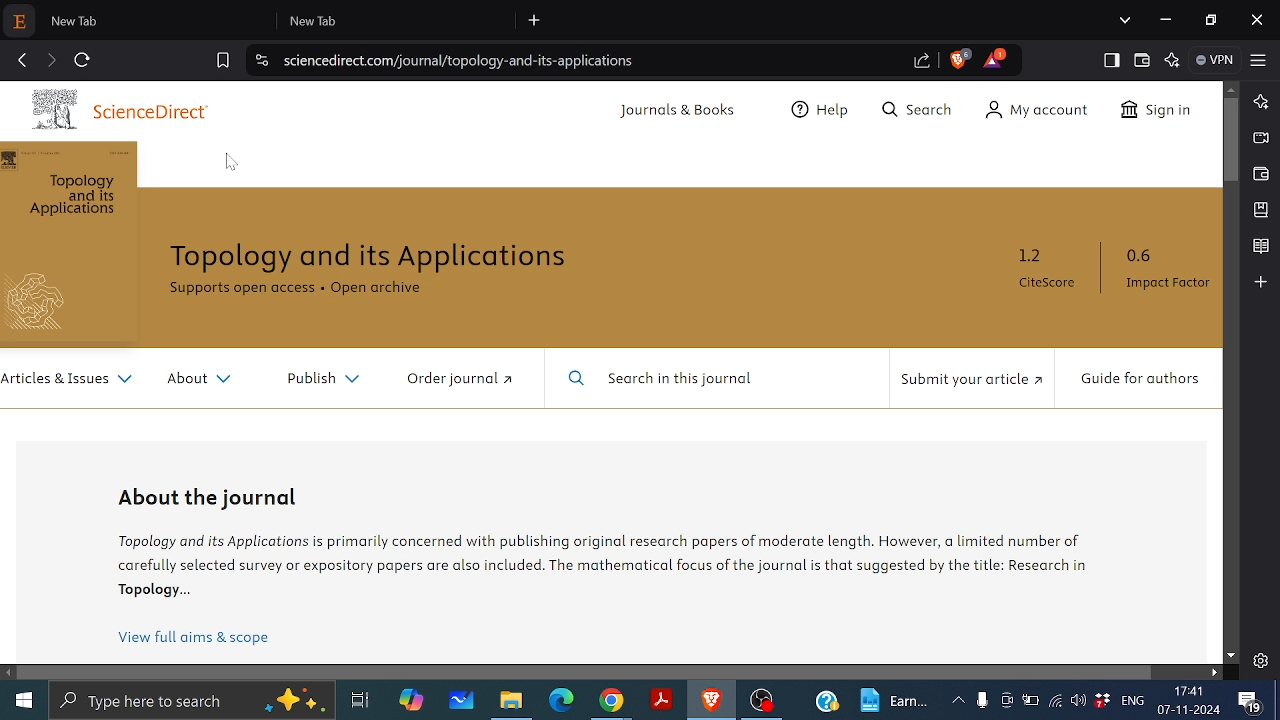 The width and height of the screenshot is (1280, 720). I want to click on settings, so click(1260, 660).